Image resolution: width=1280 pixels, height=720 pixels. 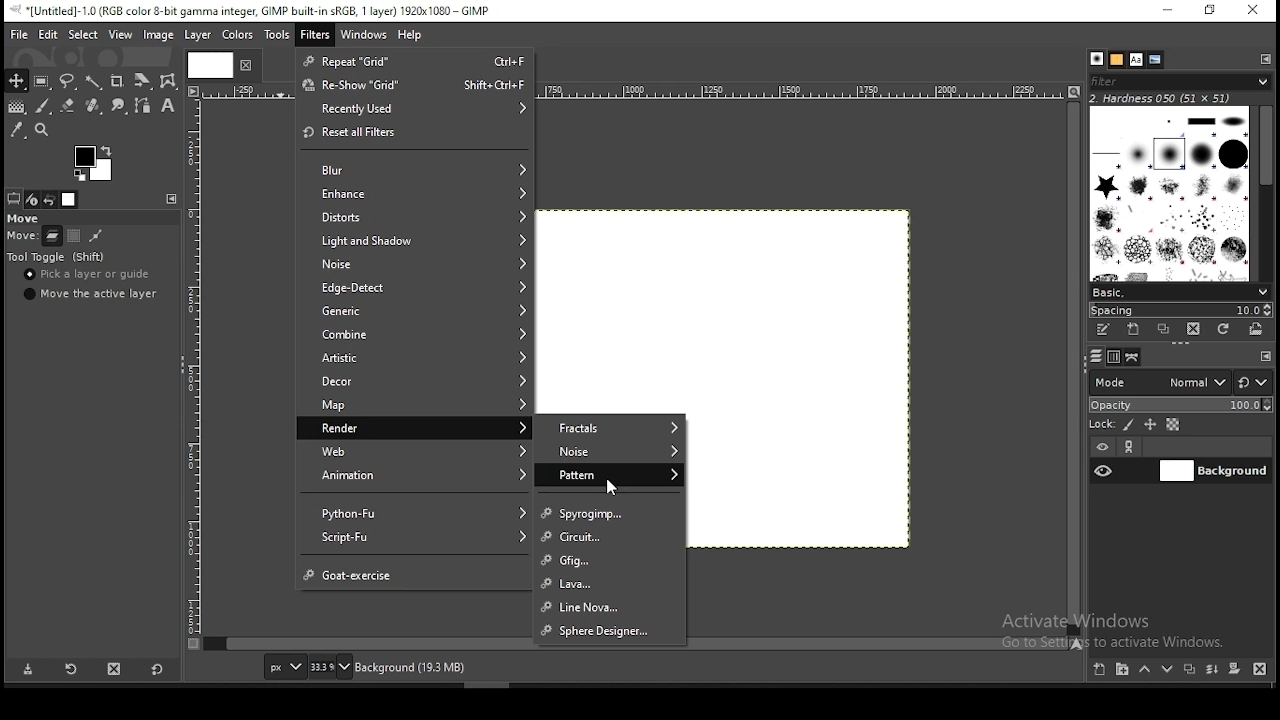 What do you see at coordinates (168, 80) in the screenshot?
I see `wrap transform` at bounding box center [168, 80].